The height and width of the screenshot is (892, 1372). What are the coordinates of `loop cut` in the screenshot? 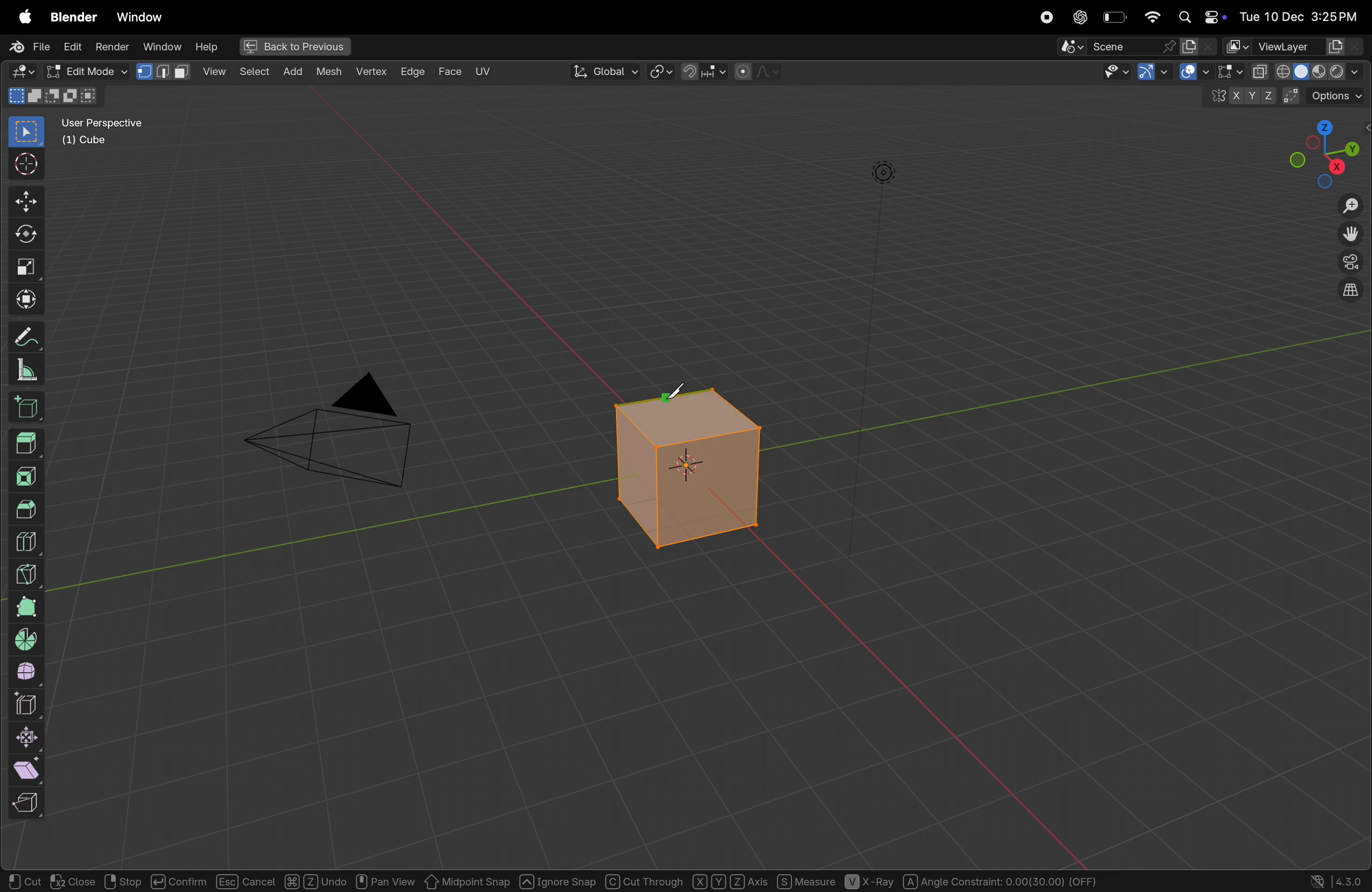 It's located at (32, 540).